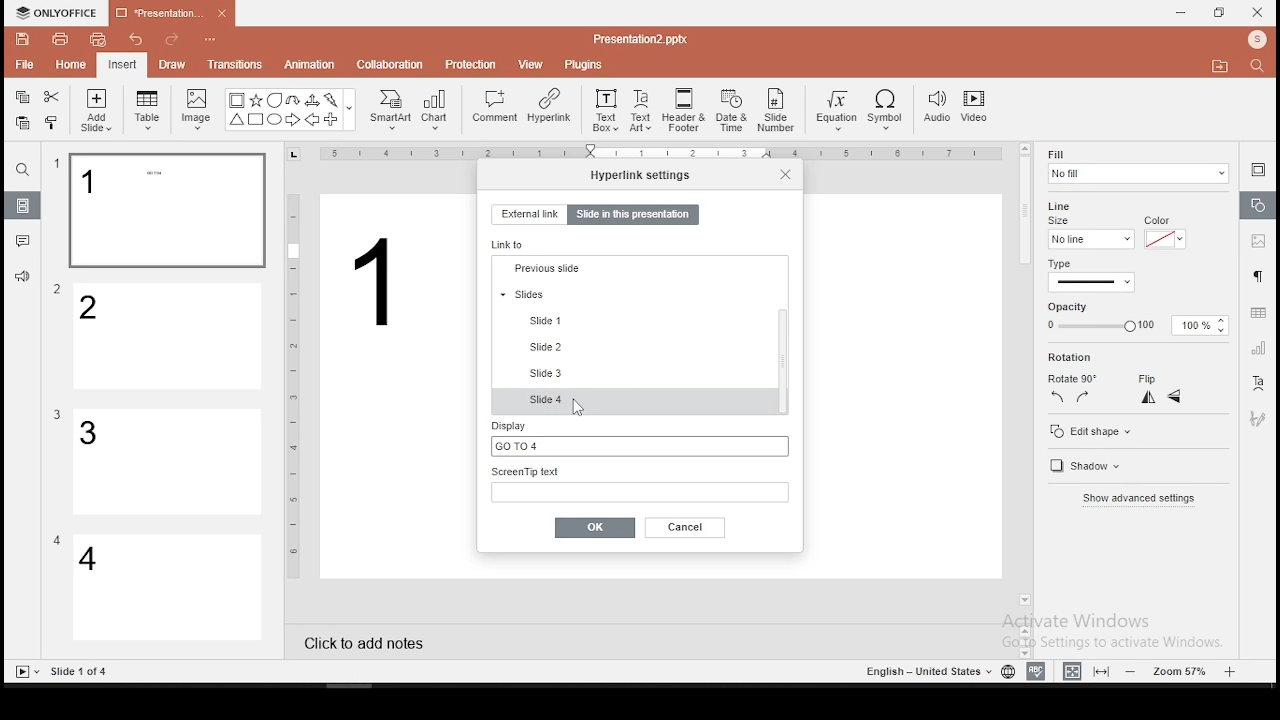 The image size is (1280, 720). What do you see at coordinates (57, 540) in the screenshot?
I see `` at bounding box center [57, 540].